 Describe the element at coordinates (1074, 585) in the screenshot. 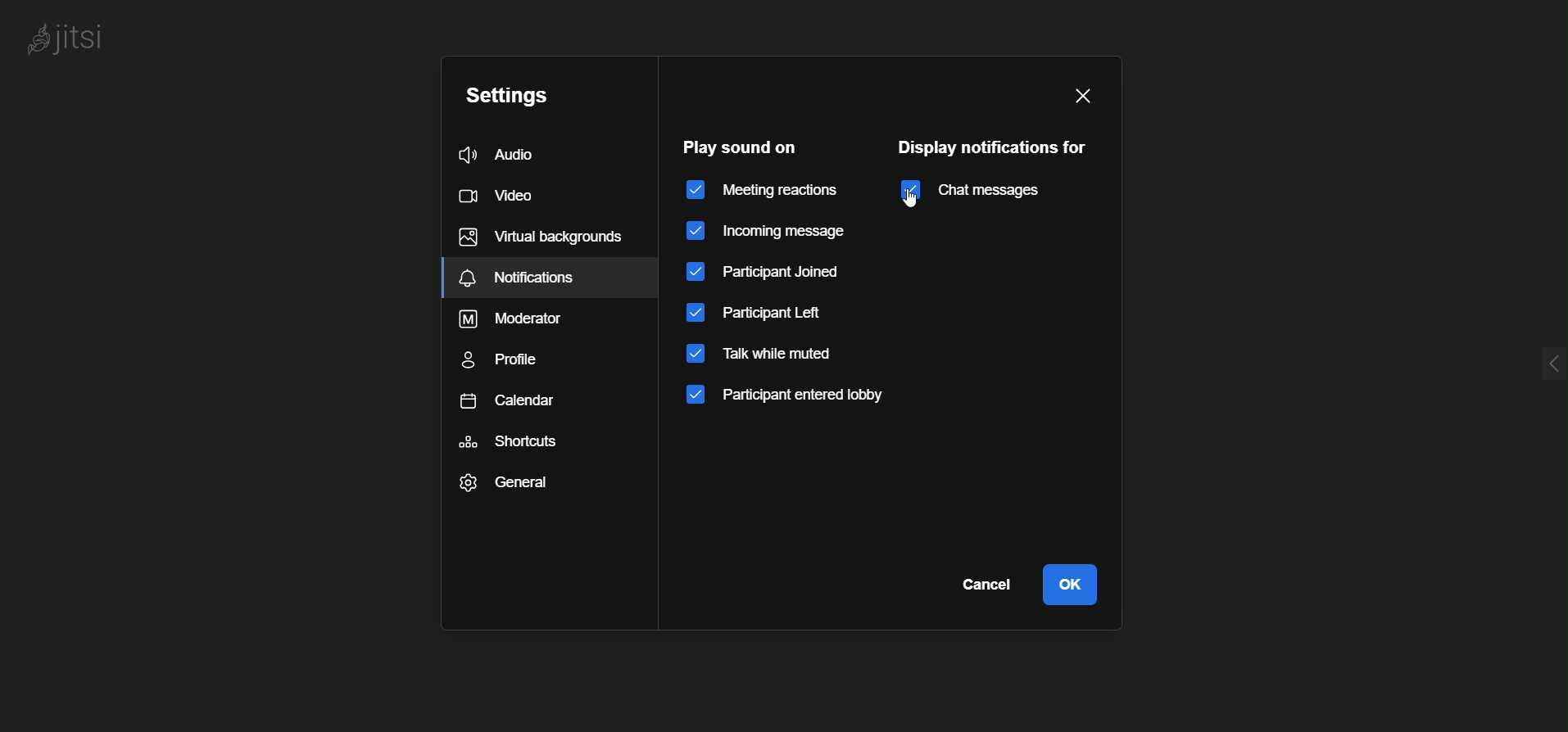

I see `ok` at that location.